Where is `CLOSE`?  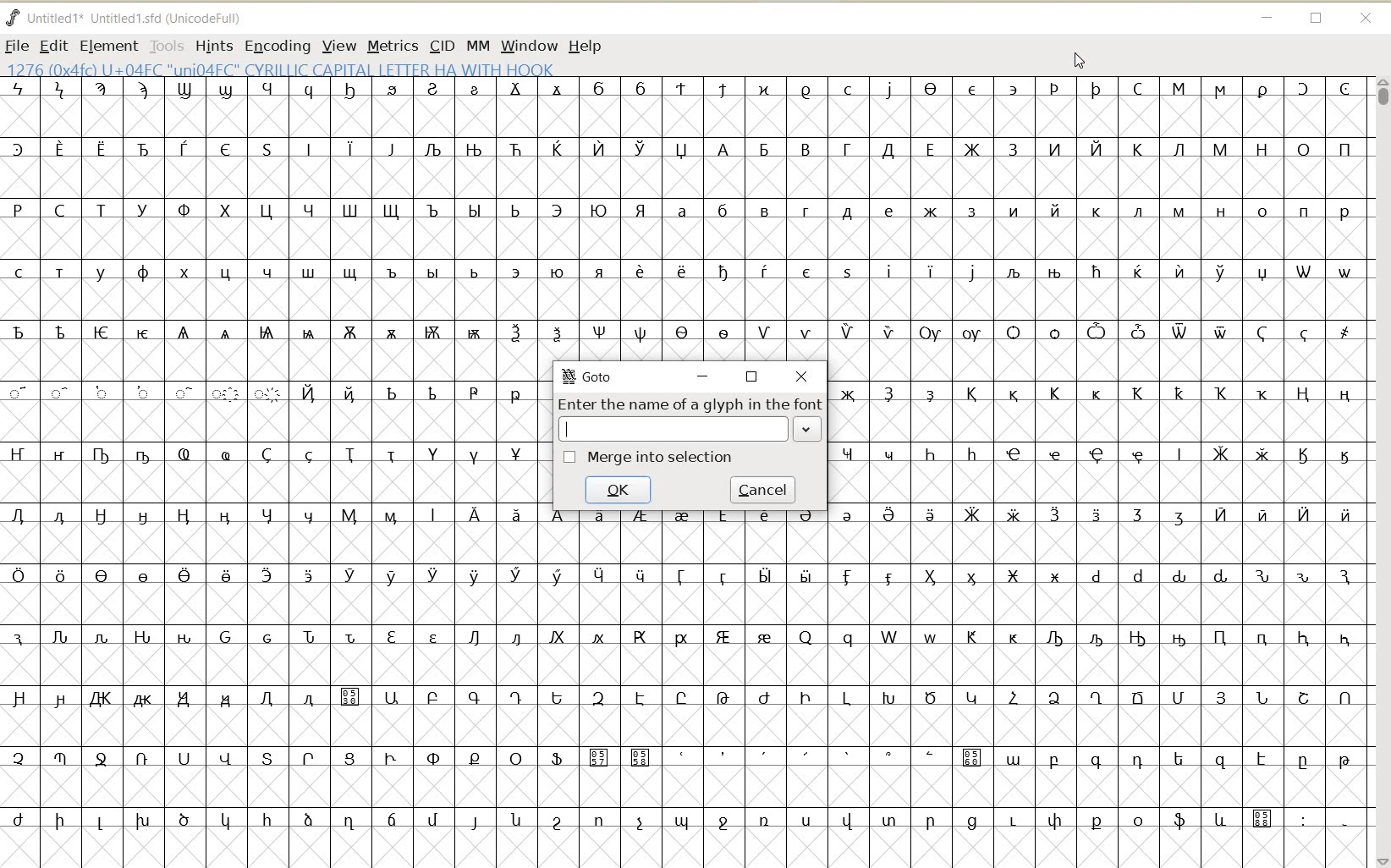 CLOSE is located at coordinates (1369, 19).